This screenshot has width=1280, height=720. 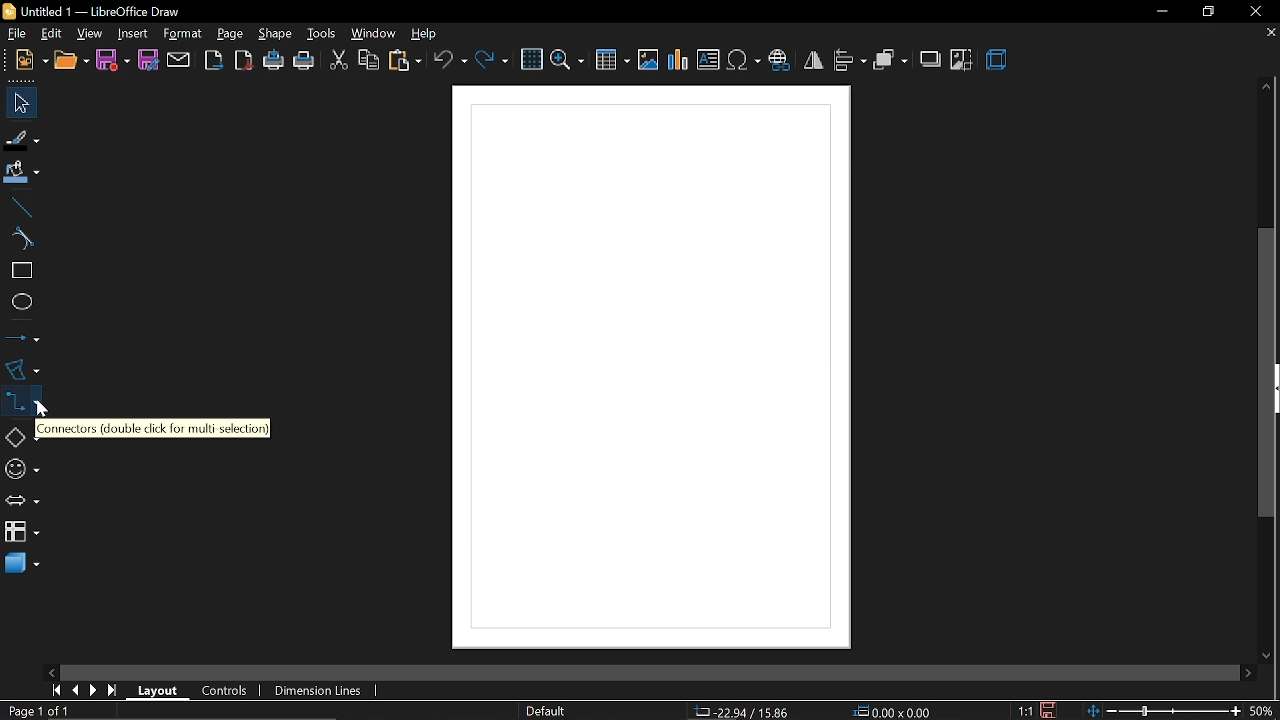 What do you see at coordinates (19, 399) in the screenshot?
I see `connector` at bounding box center [19, 399].